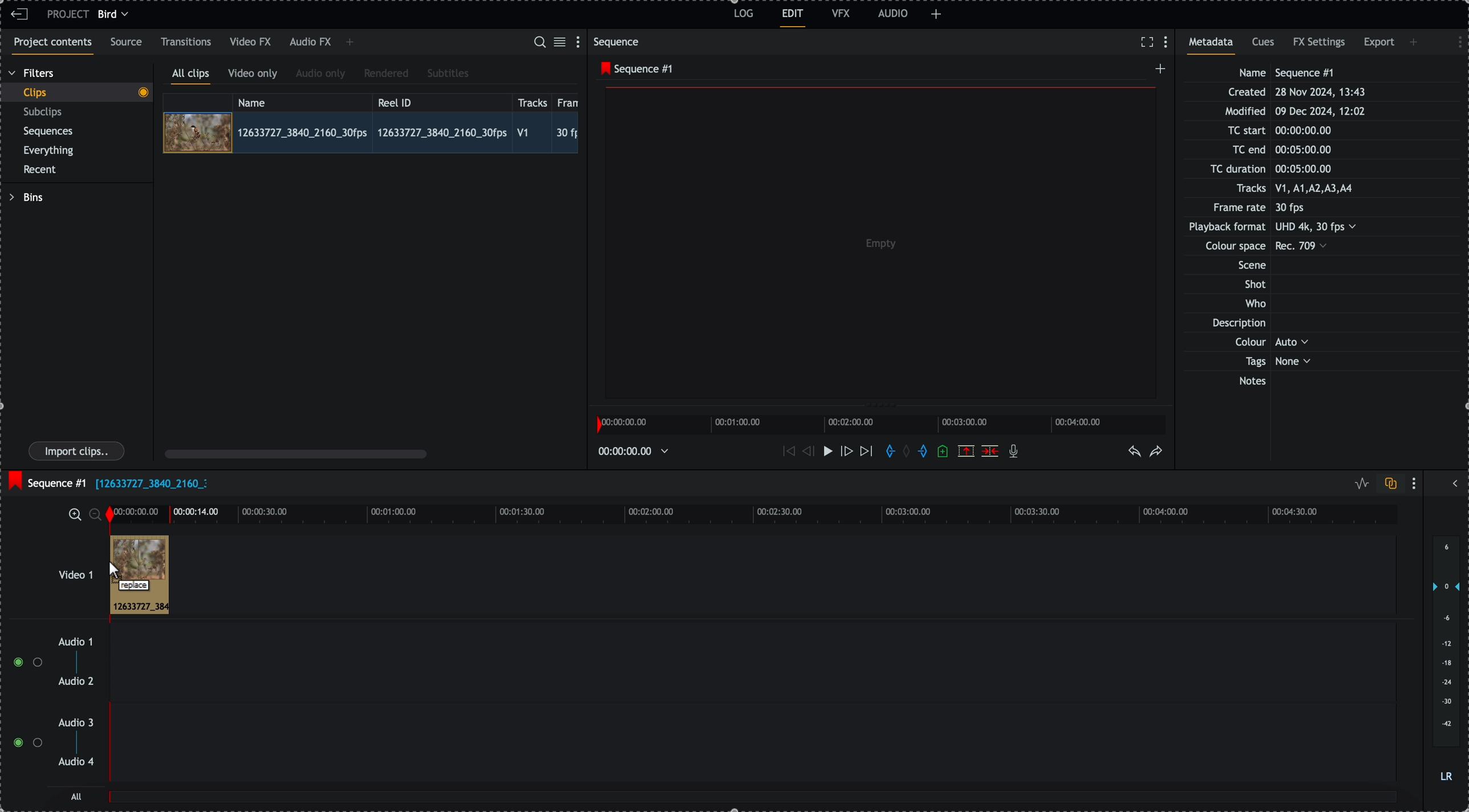 The width and height of the screenshot is (1469, 812). Describe the element at coordinates (186, 42) in the screenshot. I see `transitions` at that location.